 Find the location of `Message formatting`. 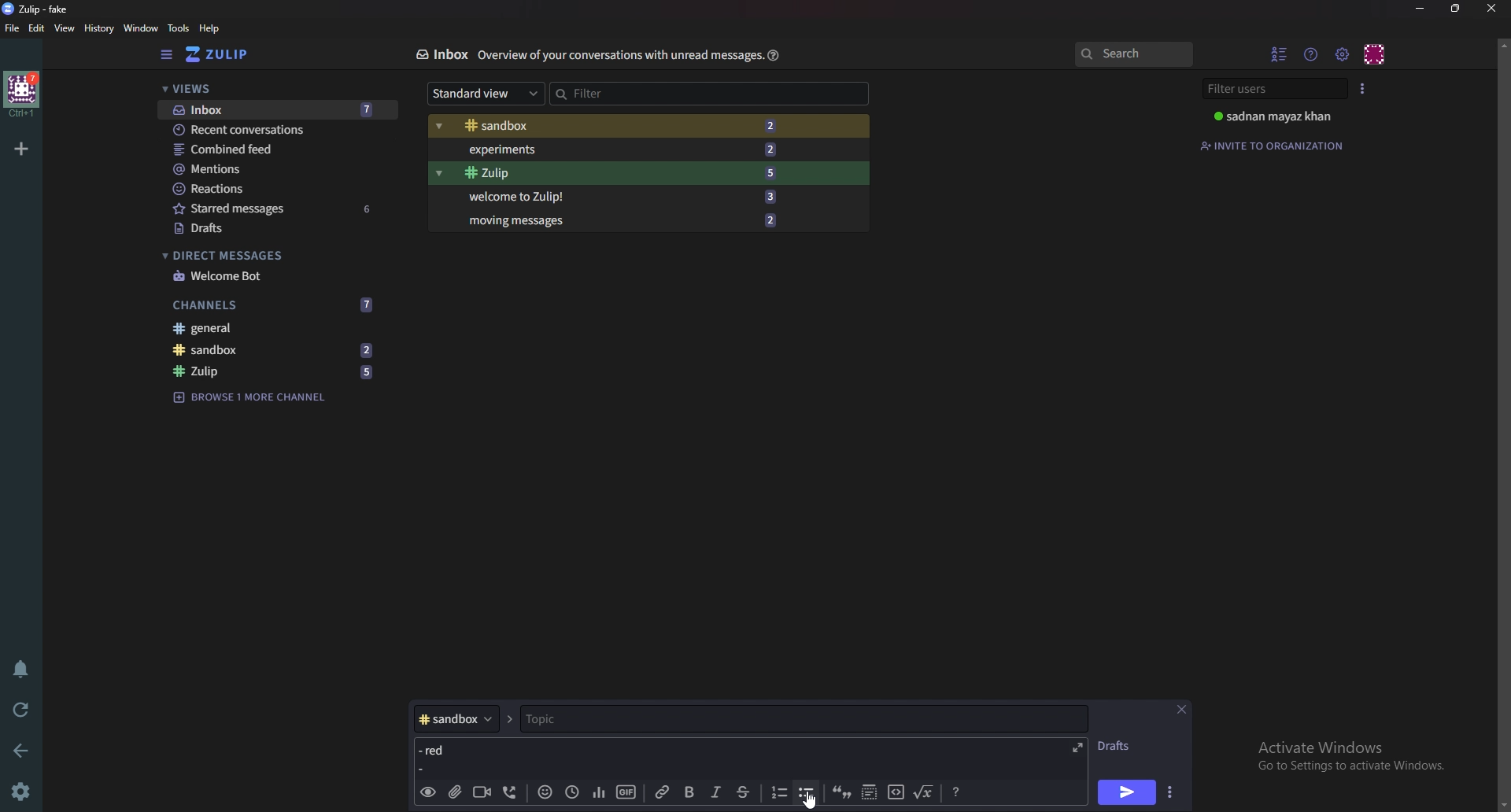

Message formatting is located at coordinates (959, 790).